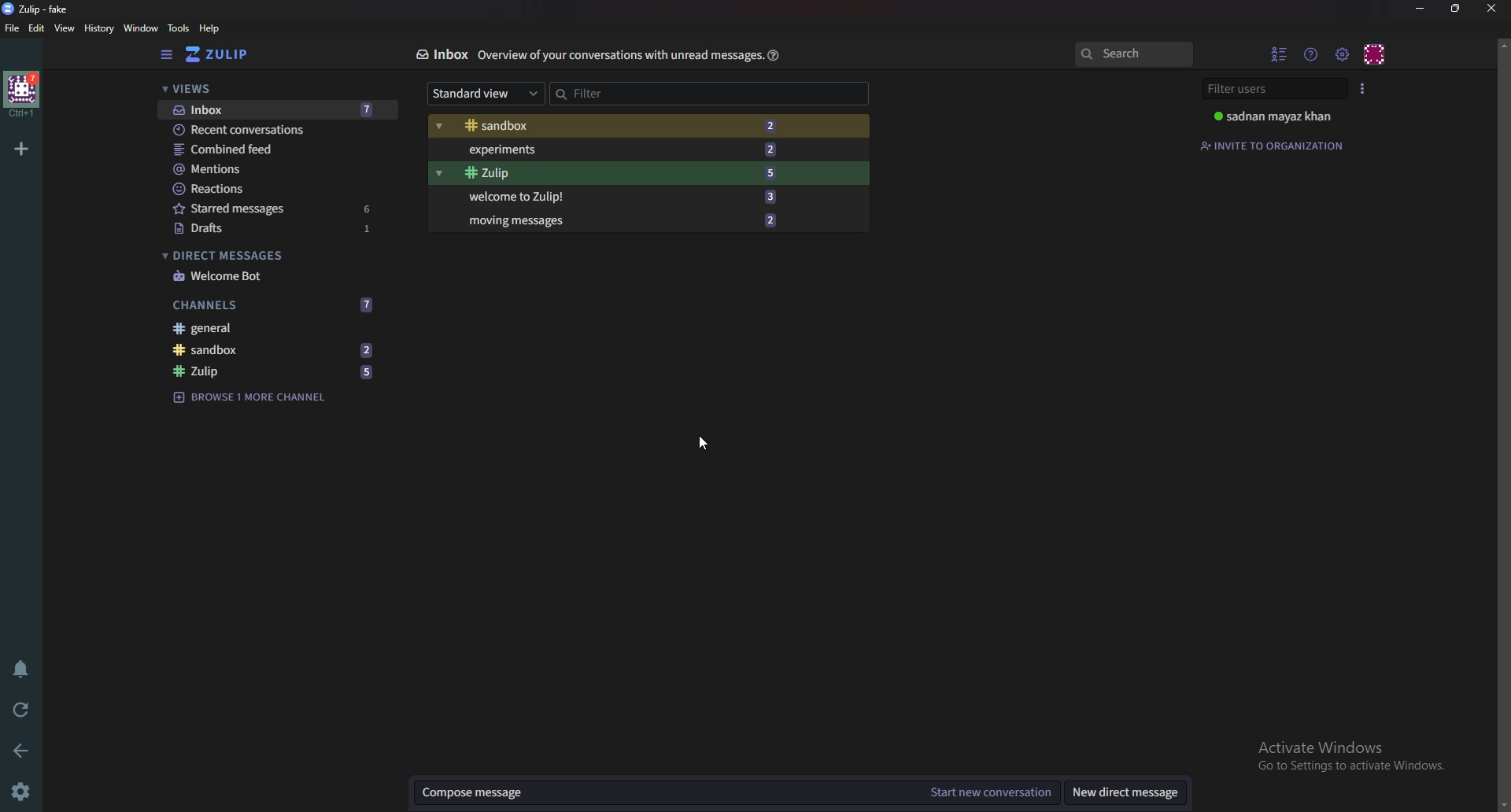 The height and width of the screenshot is (812, 1511). Describe the element at coordinates (1121, 793) in the screenshot. I see `New direct message` at that location.